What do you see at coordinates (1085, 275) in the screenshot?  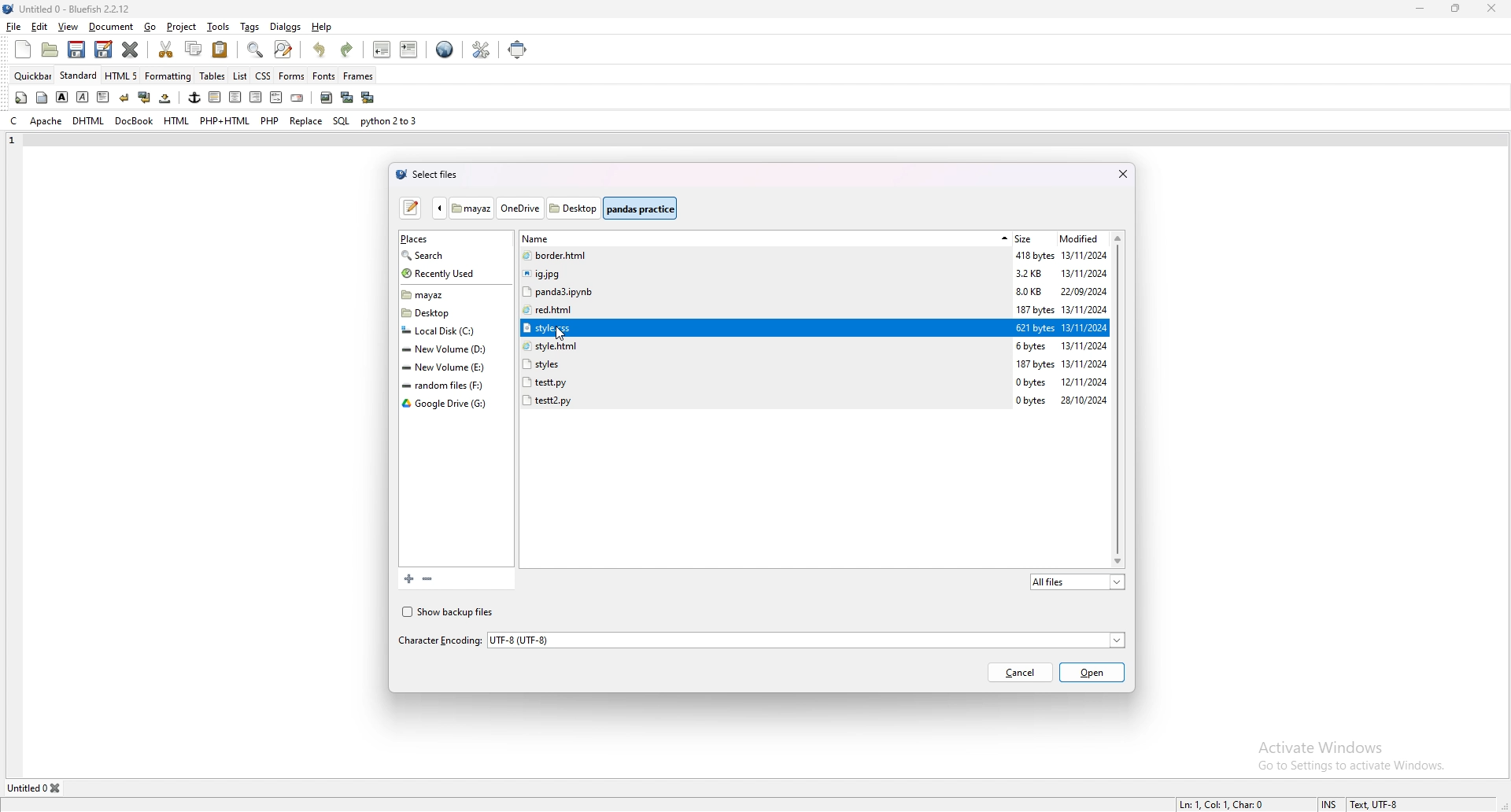 I see `13/11/2024` at bounding box center [1085, 275].